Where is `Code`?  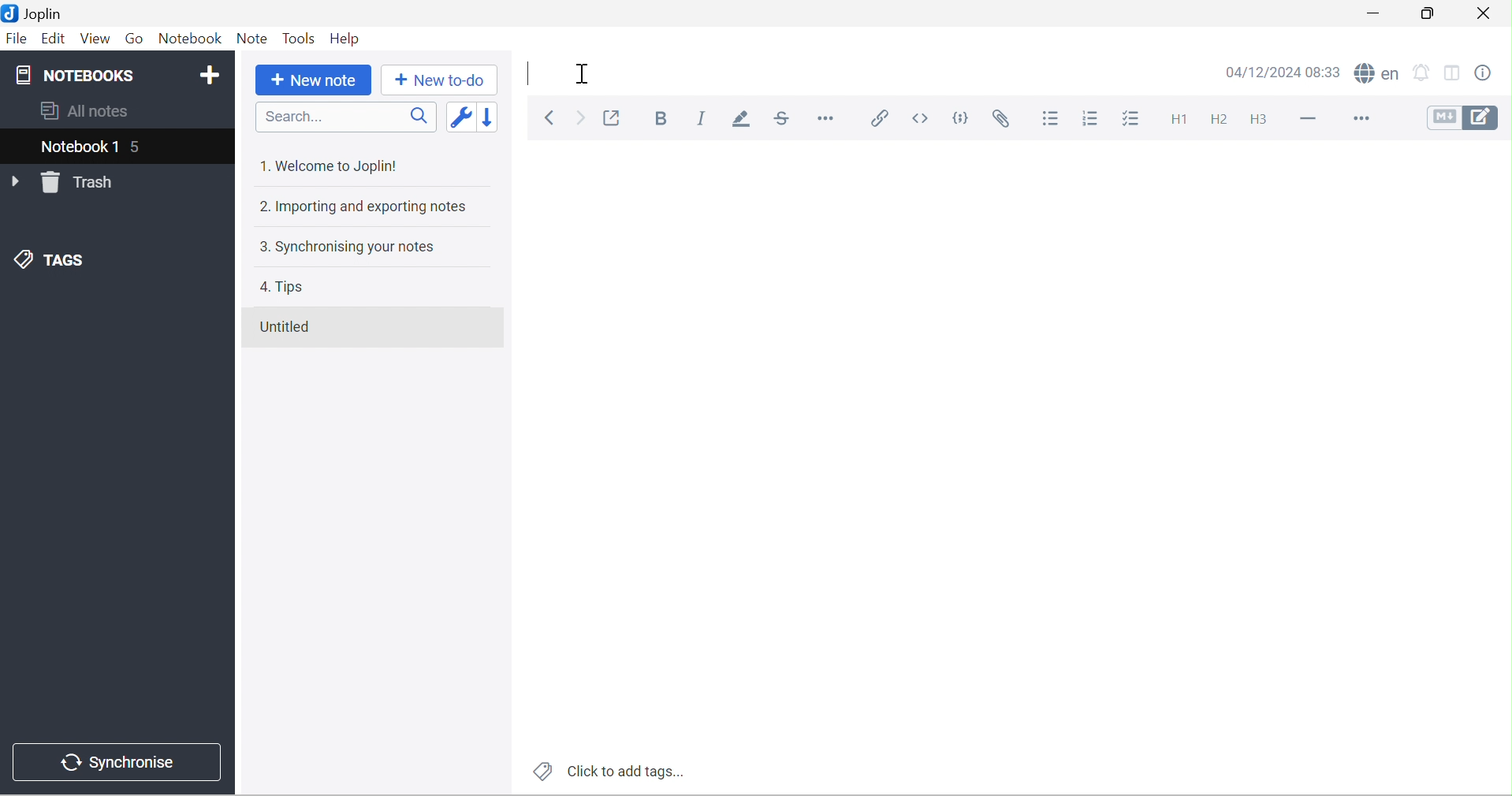
Code is located at coordinates (961, 117).